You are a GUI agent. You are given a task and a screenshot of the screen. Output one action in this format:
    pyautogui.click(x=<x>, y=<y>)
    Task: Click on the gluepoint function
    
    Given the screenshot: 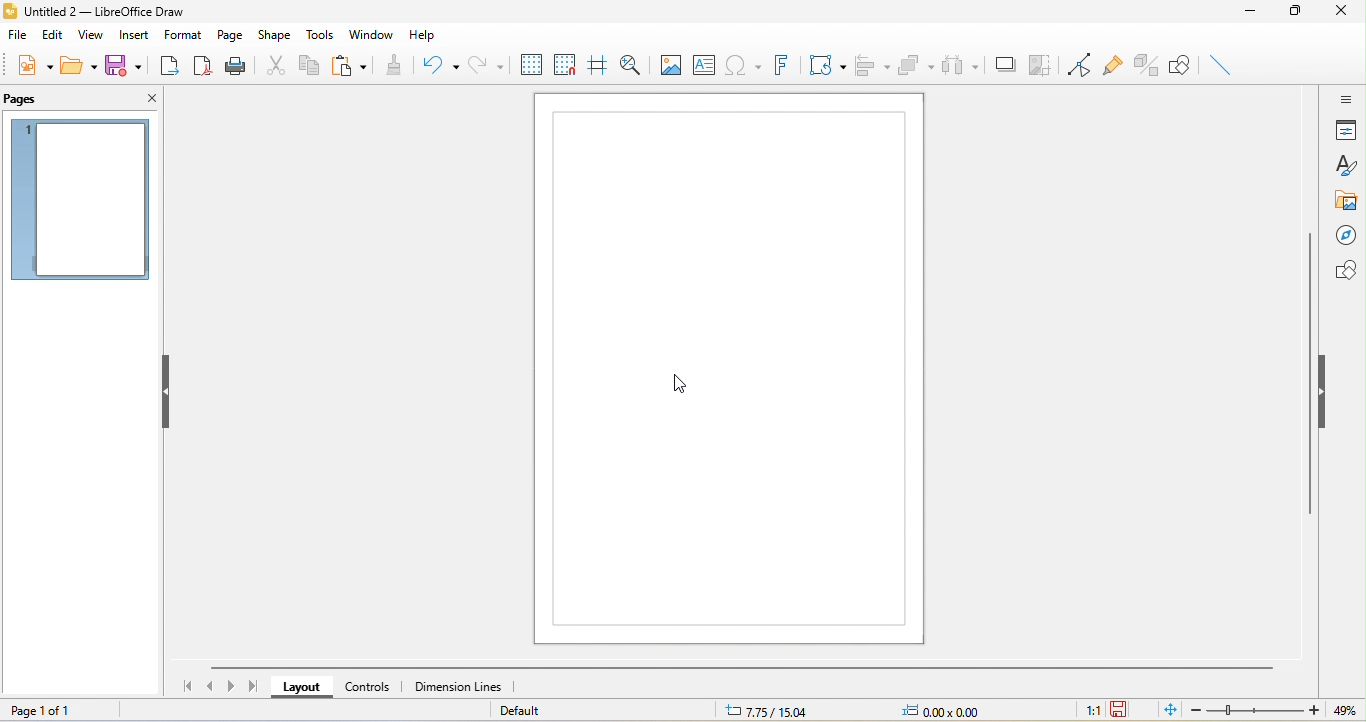 What is the action you would take?
    pyautogui.click(x=1112, y=66)
    